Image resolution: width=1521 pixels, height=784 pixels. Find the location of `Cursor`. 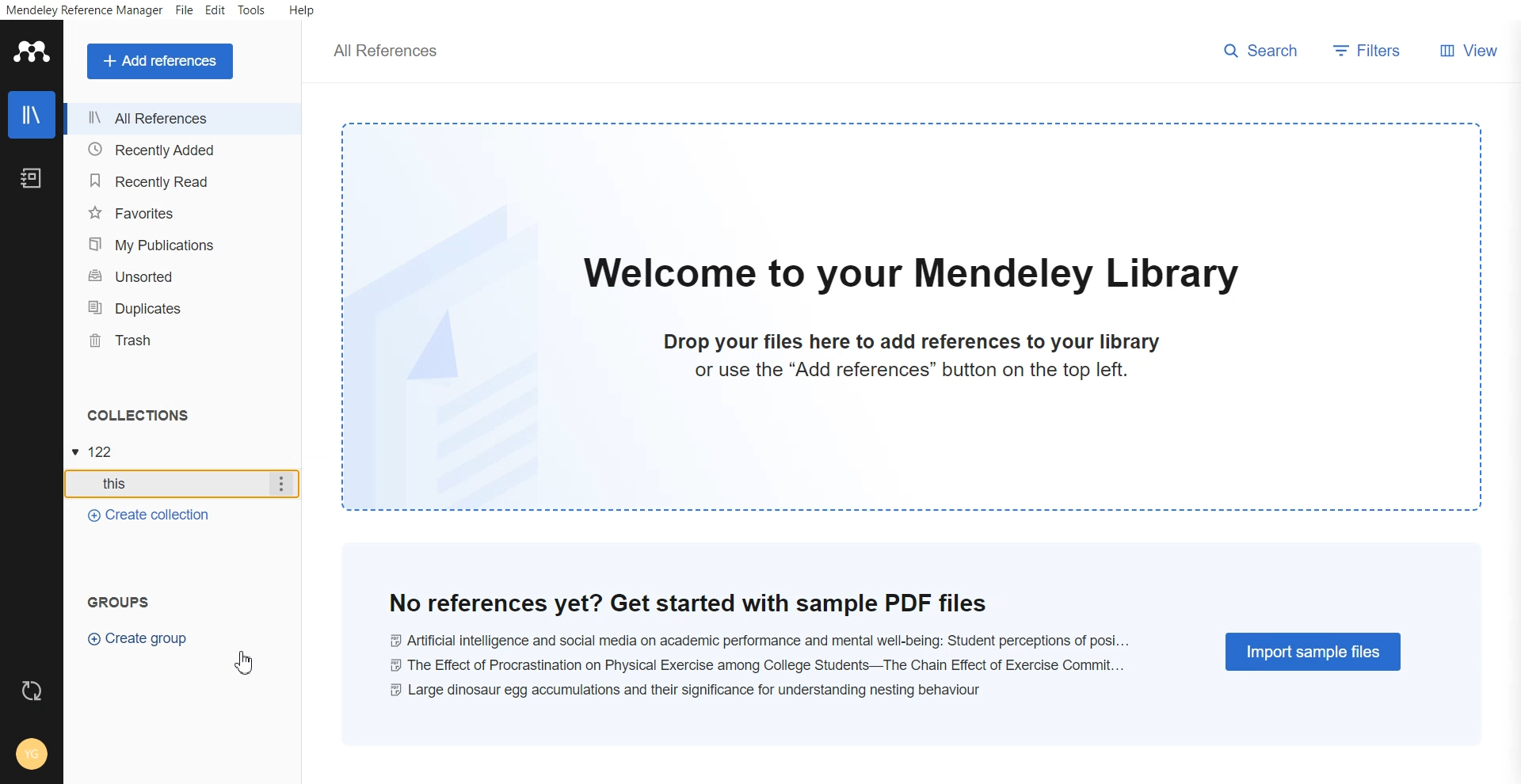

Cursor is located at coordinates (250, 661).